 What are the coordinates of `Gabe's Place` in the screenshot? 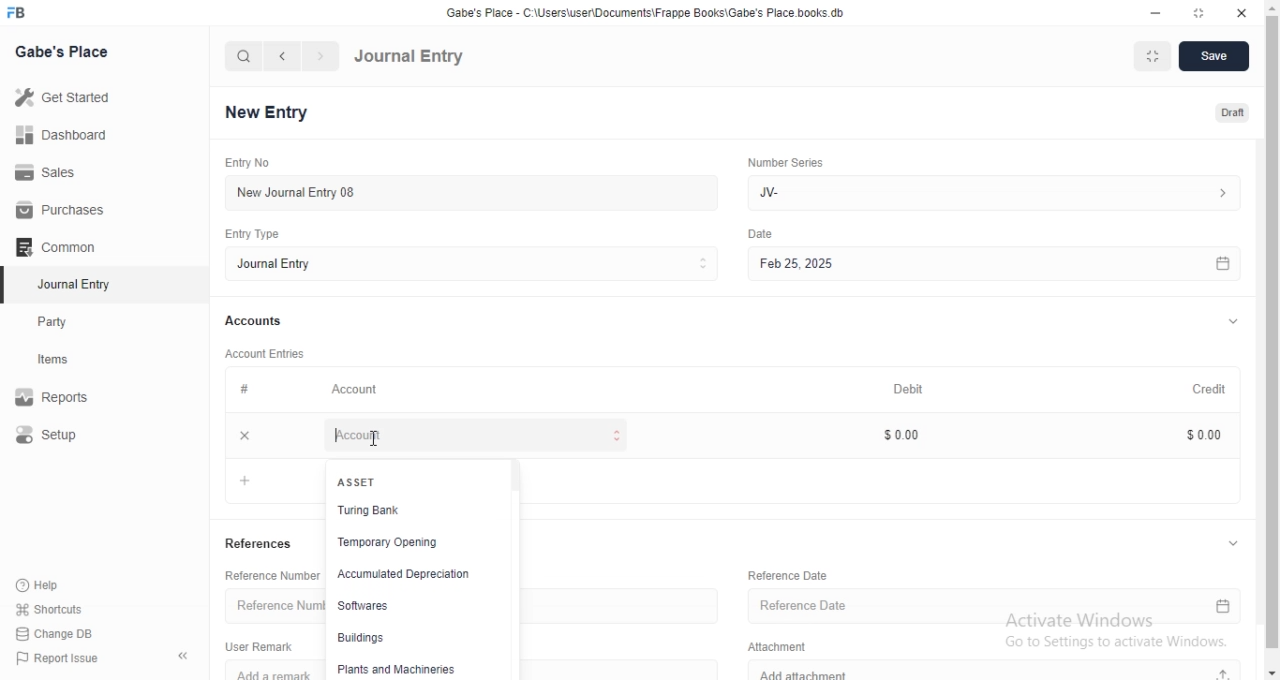 It's located at (61, 52).